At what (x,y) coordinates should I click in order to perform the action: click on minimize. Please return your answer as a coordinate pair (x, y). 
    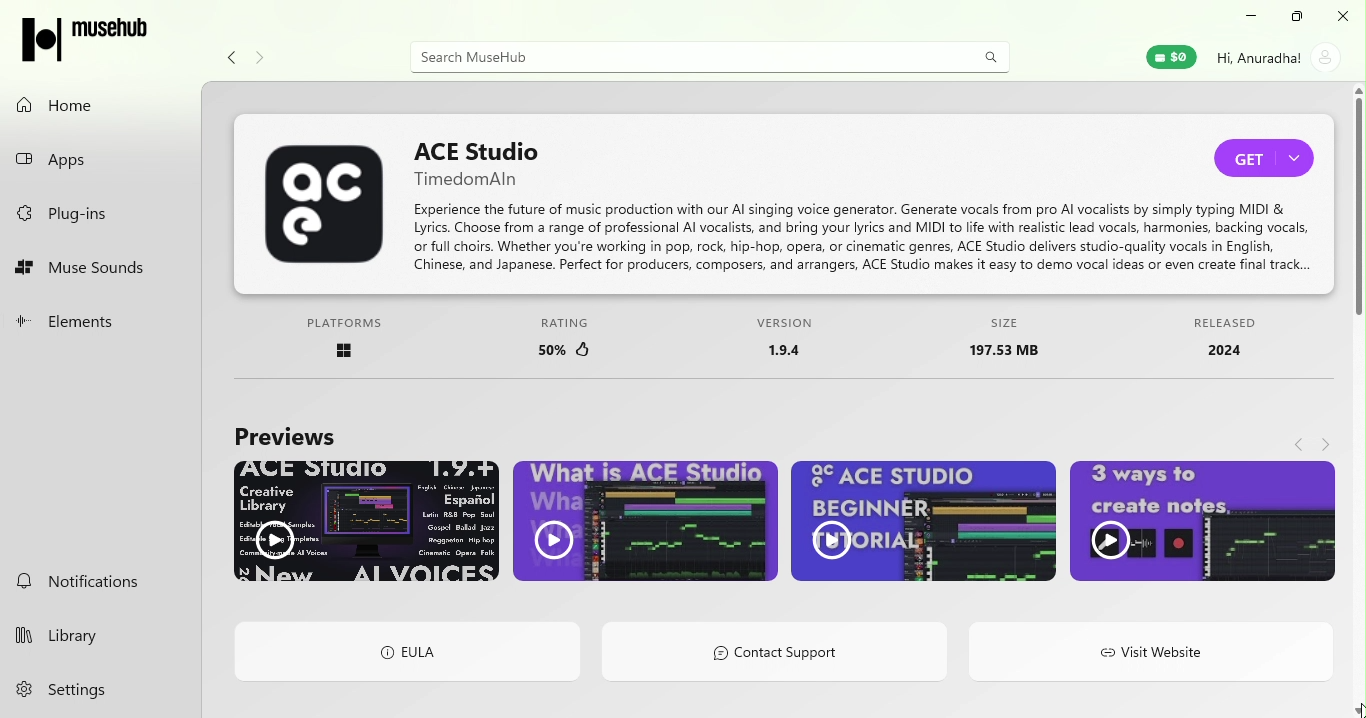
    Looking at the image, I should click on (1249, 19).